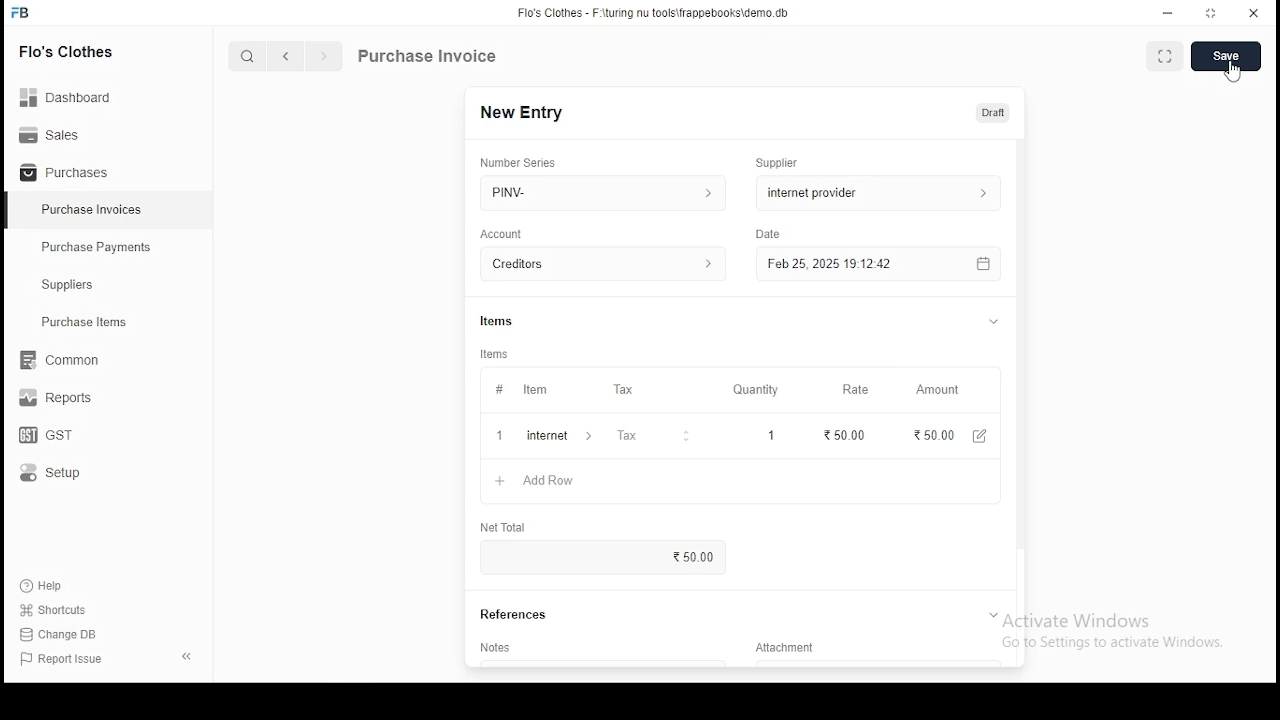 The width and height of the screenshot is (1280, 720). I want to click on add row, so click(541, 481).